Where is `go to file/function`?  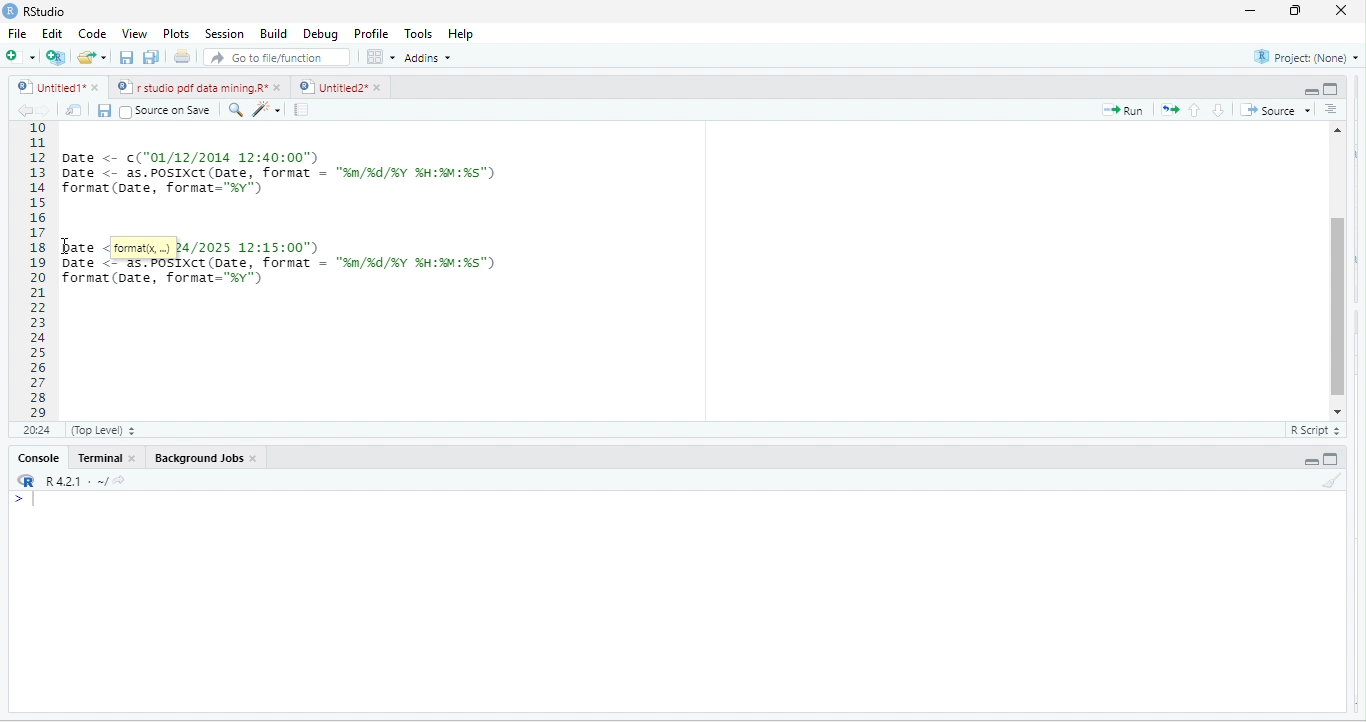 go to file/function is located at coordinates (272, 60).